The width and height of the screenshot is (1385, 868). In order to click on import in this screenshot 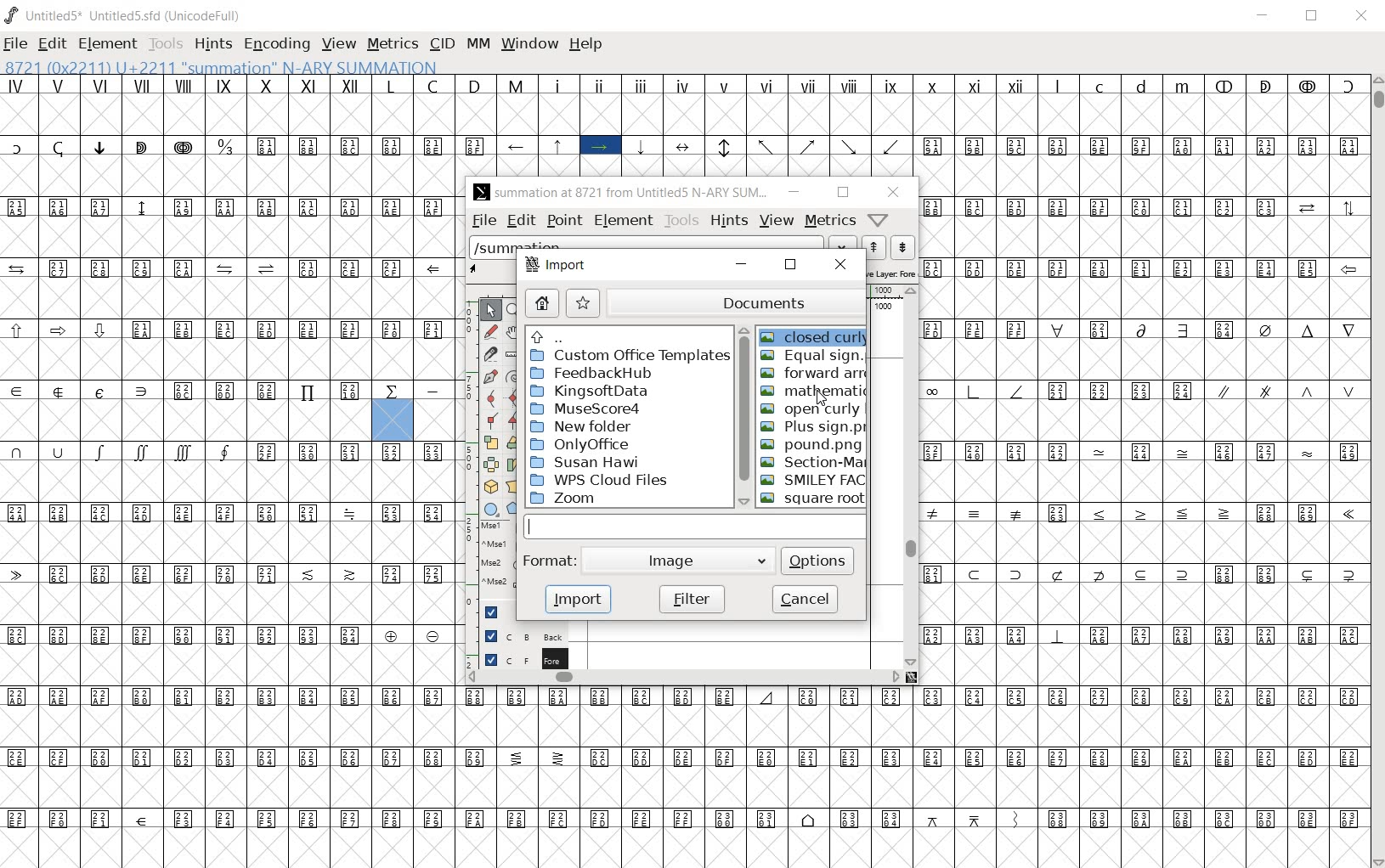, I will do `click(578, 600)`.